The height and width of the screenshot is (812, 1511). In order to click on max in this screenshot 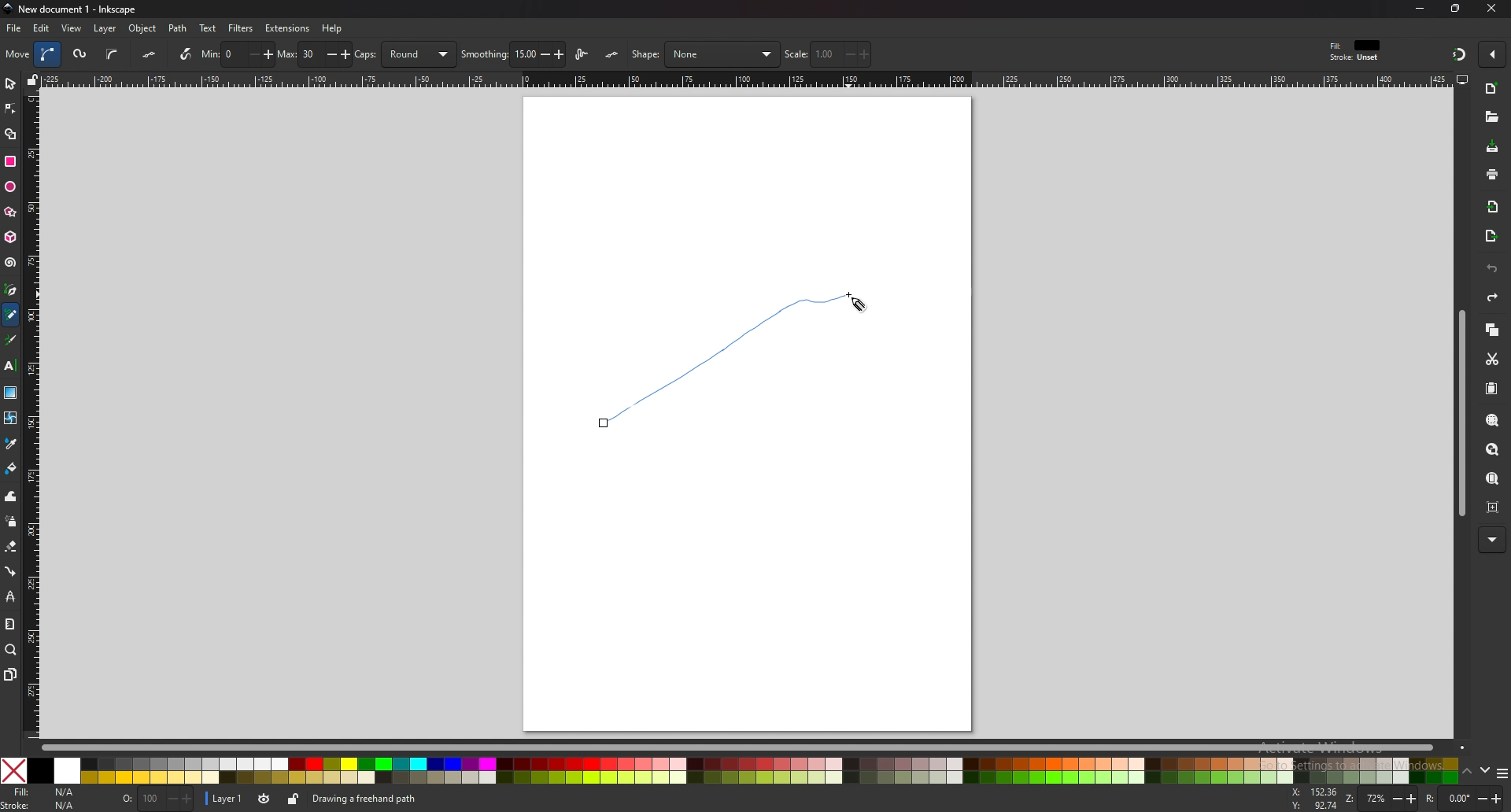, I will do `click(314, 53)`.